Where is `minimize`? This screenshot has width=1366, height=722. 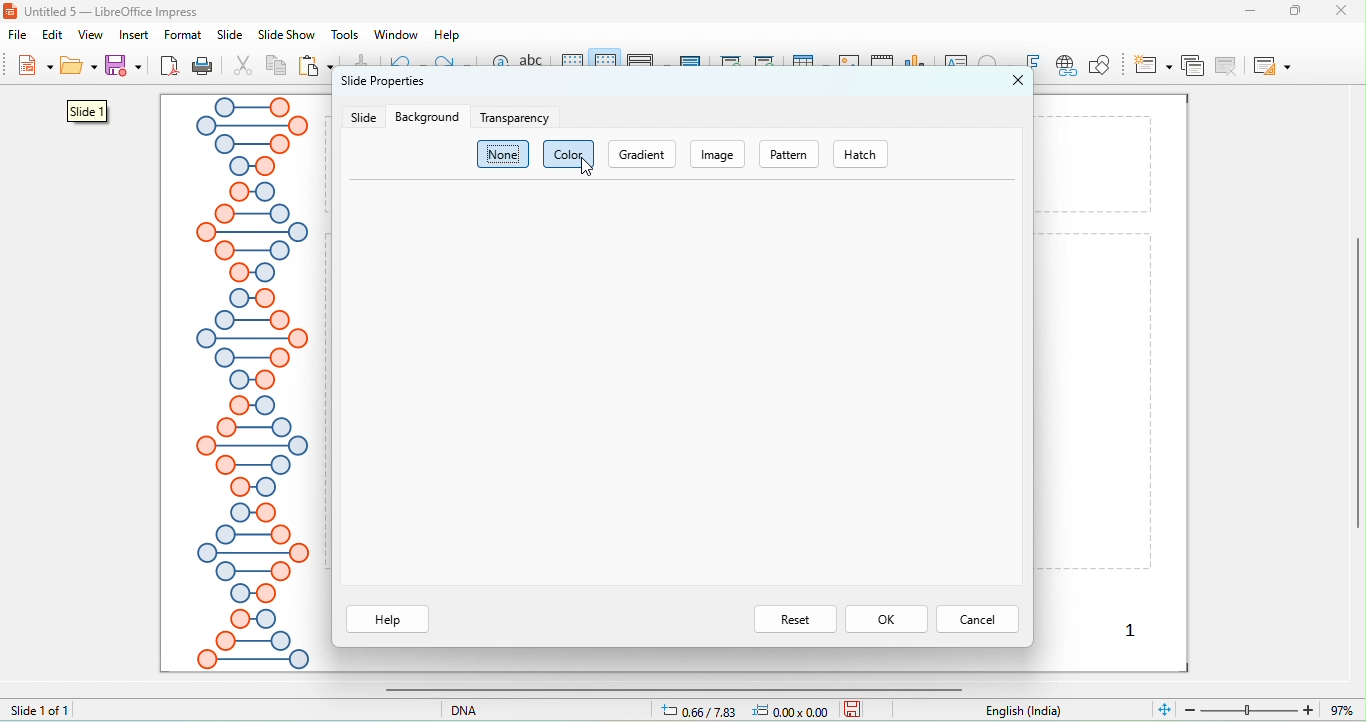 minimize is located at coordinates (1250, 10).